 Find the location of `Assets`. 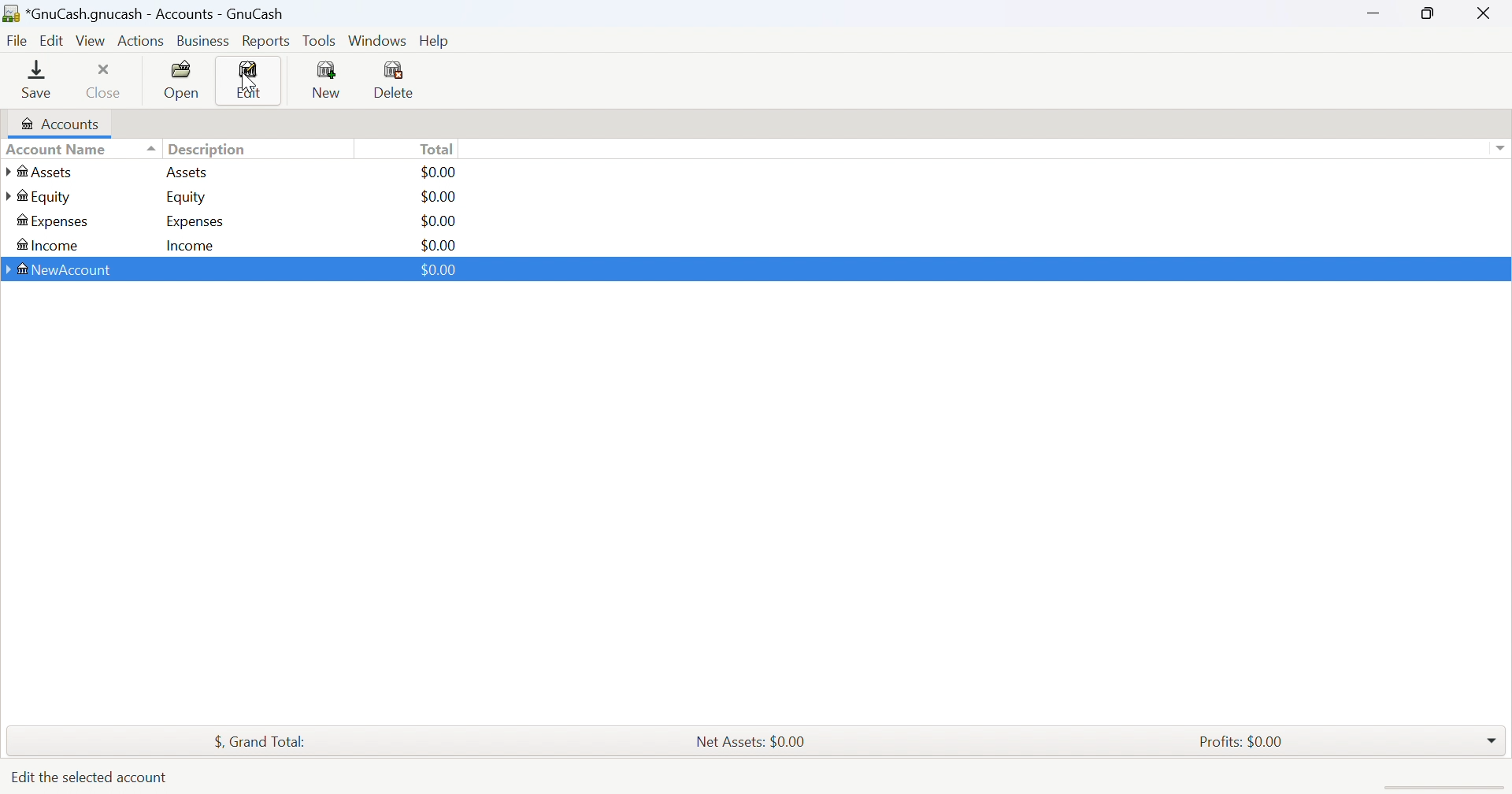

Assets is located at coordinates (48, 172).